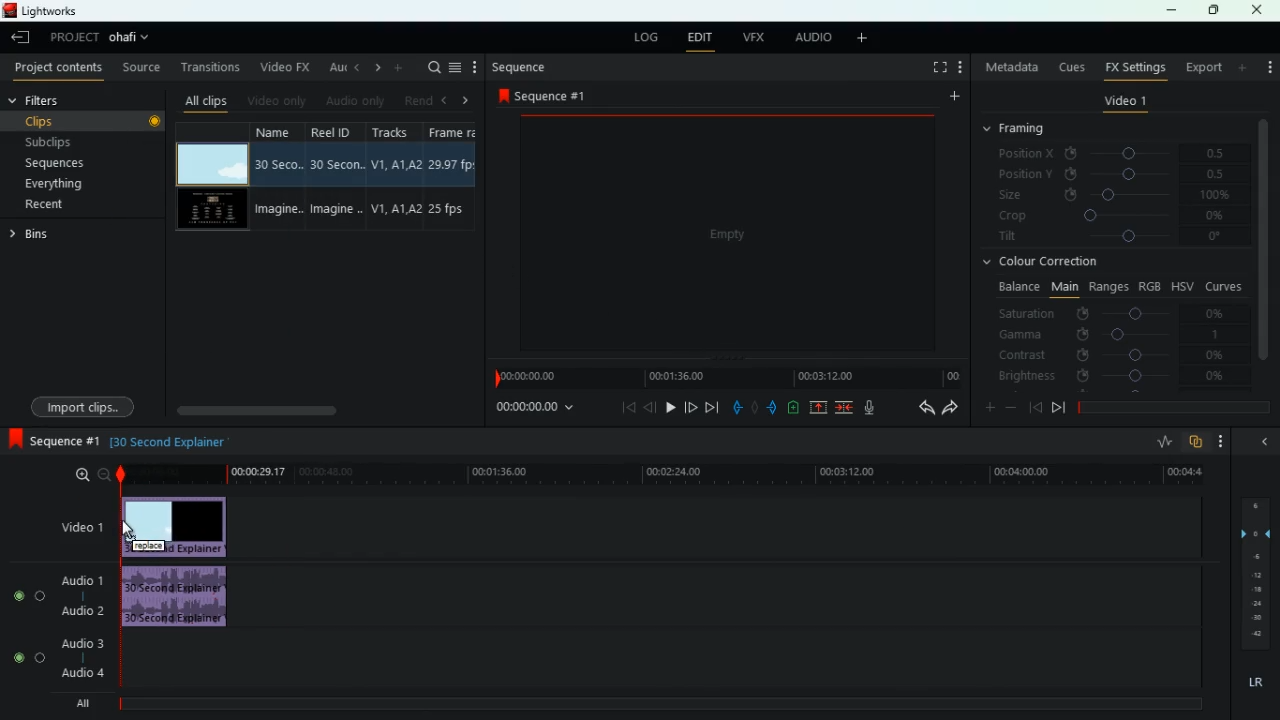 Image resolution: width=1280 pixels, height=720 pixels. Describe the element at coordinates (1035, 407) in the screenshot. I see `back` at that location.